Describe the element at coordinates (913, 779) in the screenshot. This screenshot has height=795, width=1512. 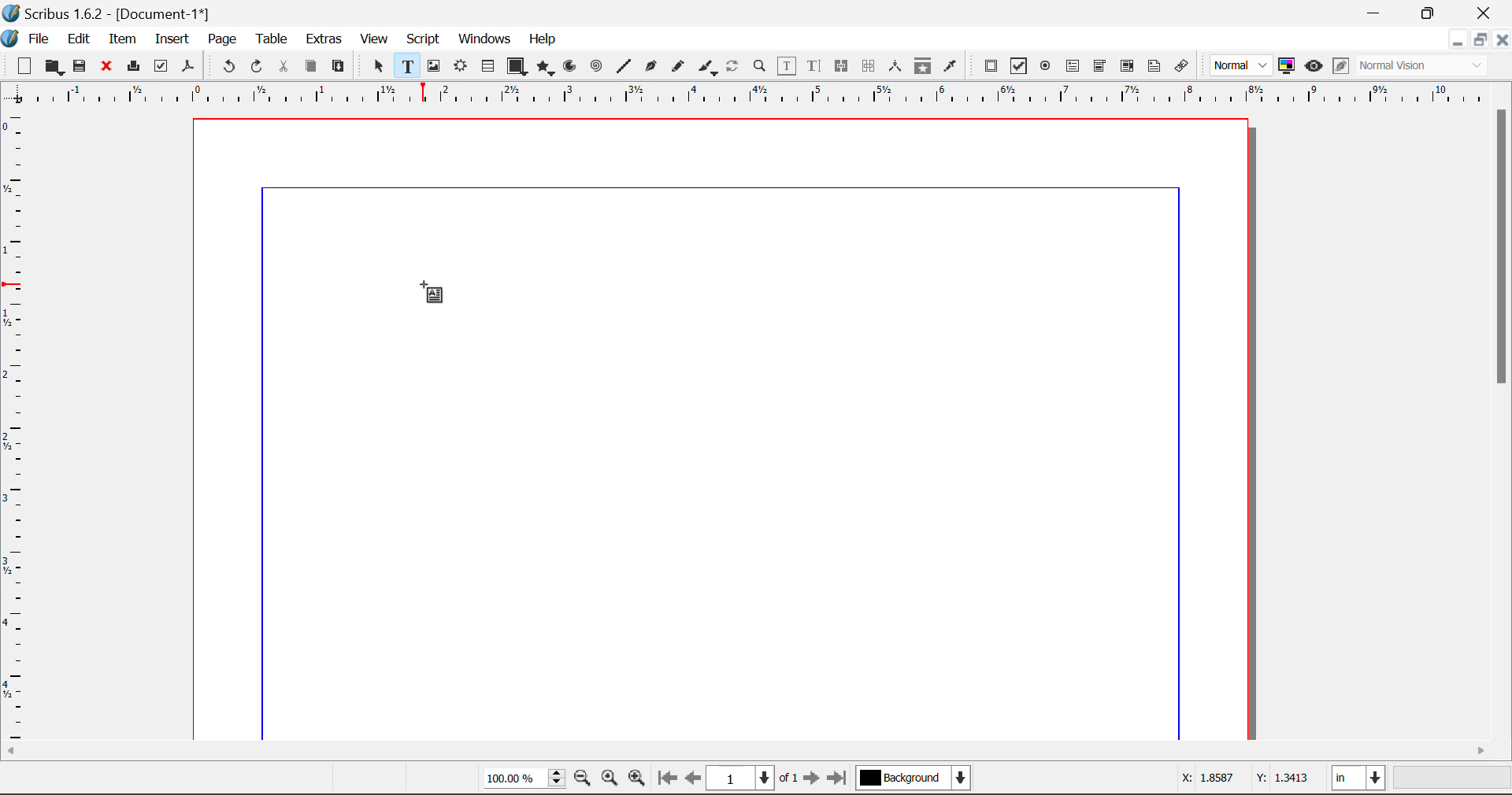
I see `Background` at that location.